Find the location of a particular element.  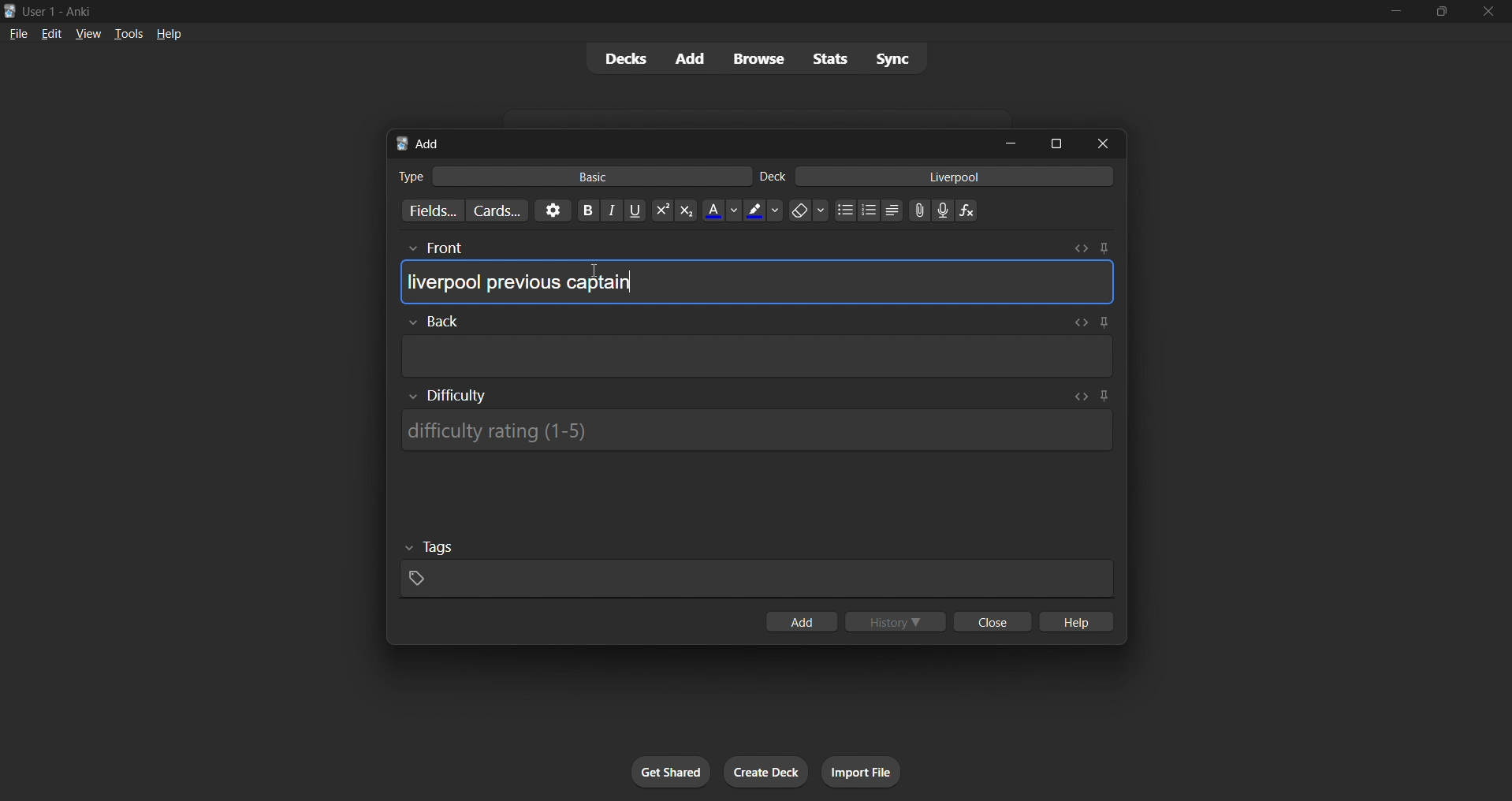

create deck is located at coordinates (767, 773).